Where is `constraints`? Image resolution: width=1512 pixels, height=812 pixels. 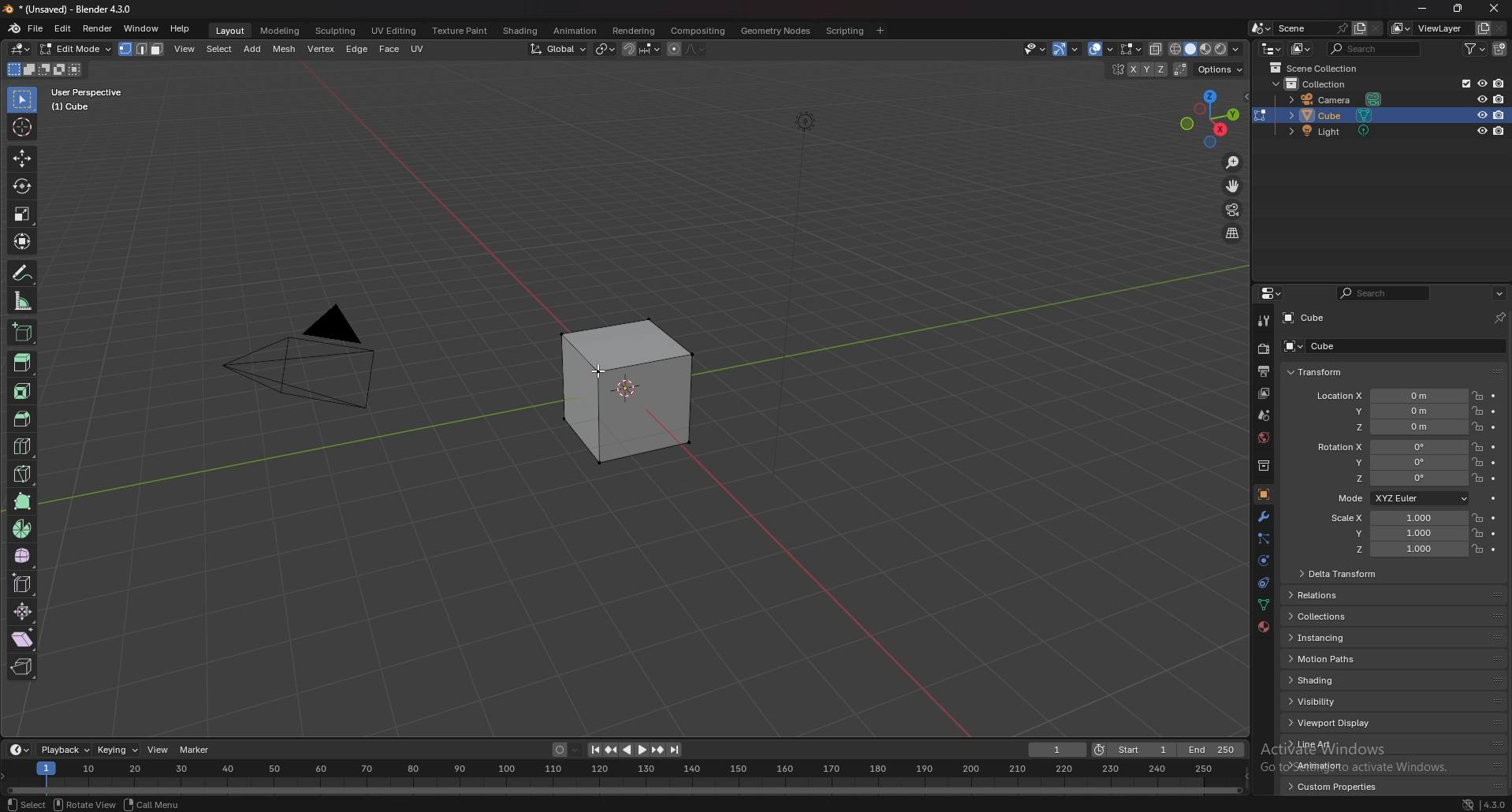
constraints is located at coordinates (1264, 583).